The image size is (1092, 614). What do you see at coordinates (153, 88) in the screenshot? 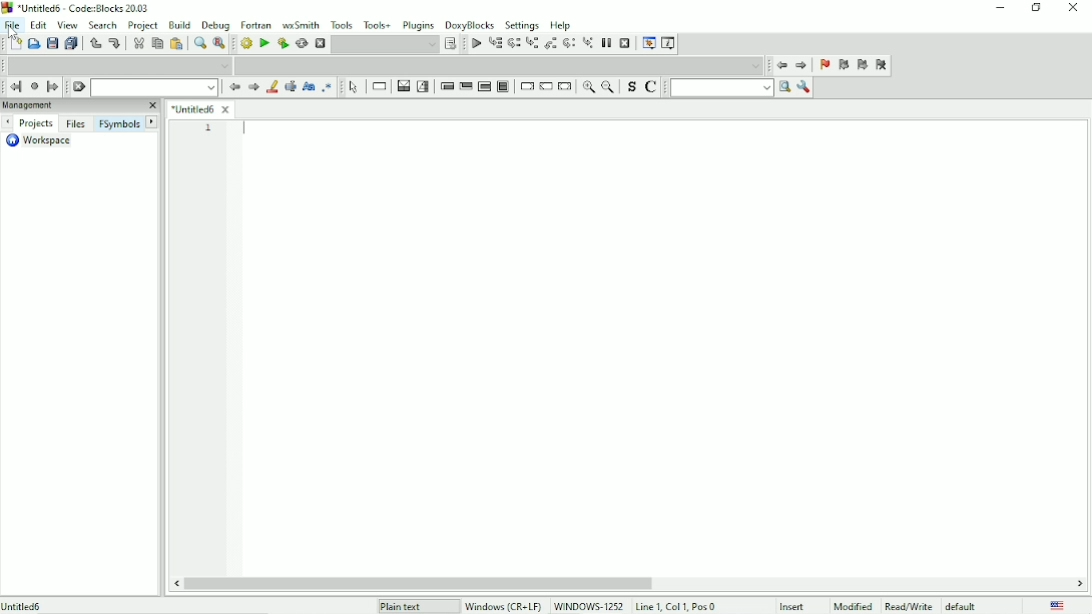
I see `Drop down` at bounding box center [153, 88].